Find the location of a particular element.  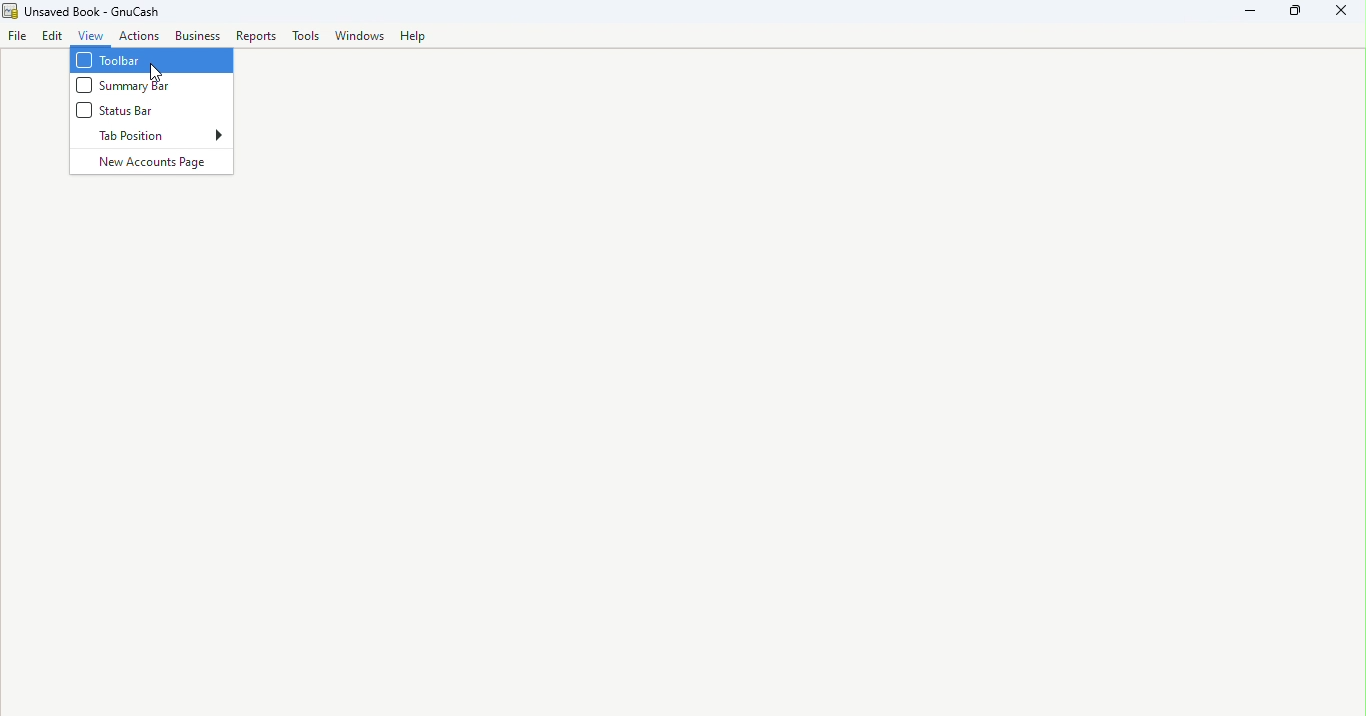

Minimize is located at coordinates (1257, 11).